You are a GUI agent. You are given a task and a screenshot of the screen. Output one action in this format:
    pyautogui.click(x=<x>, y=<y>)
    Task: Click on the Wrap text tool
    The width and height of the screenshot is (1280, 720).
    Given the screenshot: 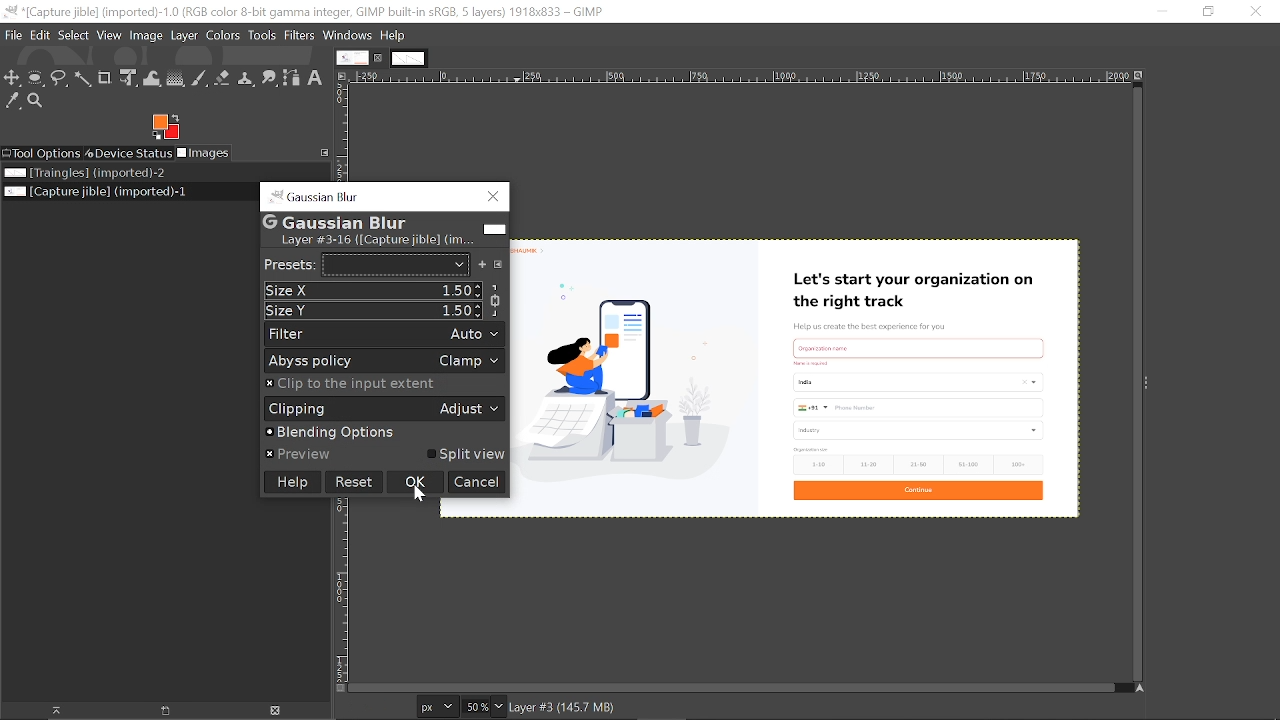 What is the action you would take?
    pyautogui.click(x=153, y=79)
    